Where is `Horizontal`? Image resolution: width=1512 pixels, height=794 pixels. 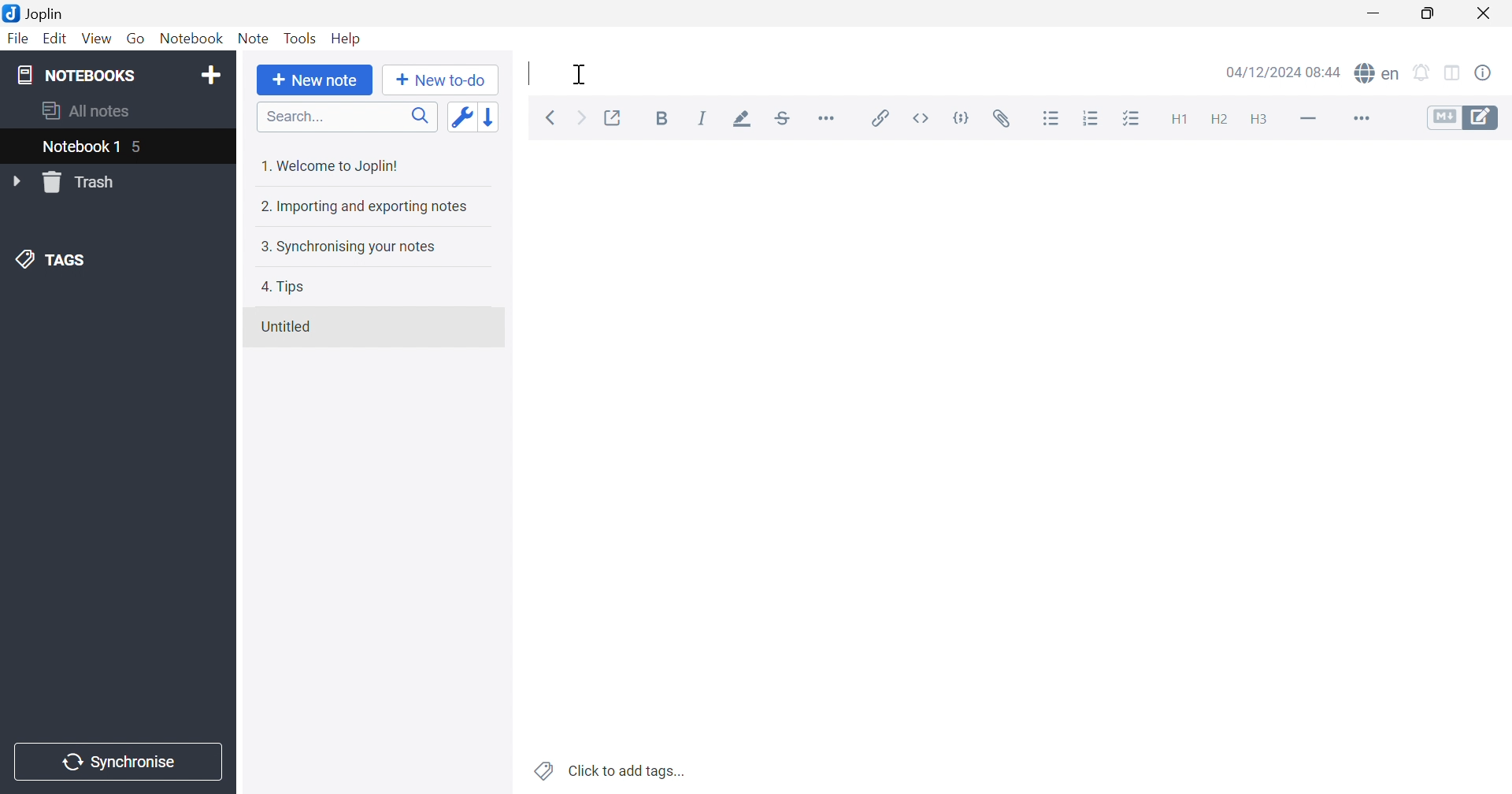 Horizontal is located at coordinates (826, 118).